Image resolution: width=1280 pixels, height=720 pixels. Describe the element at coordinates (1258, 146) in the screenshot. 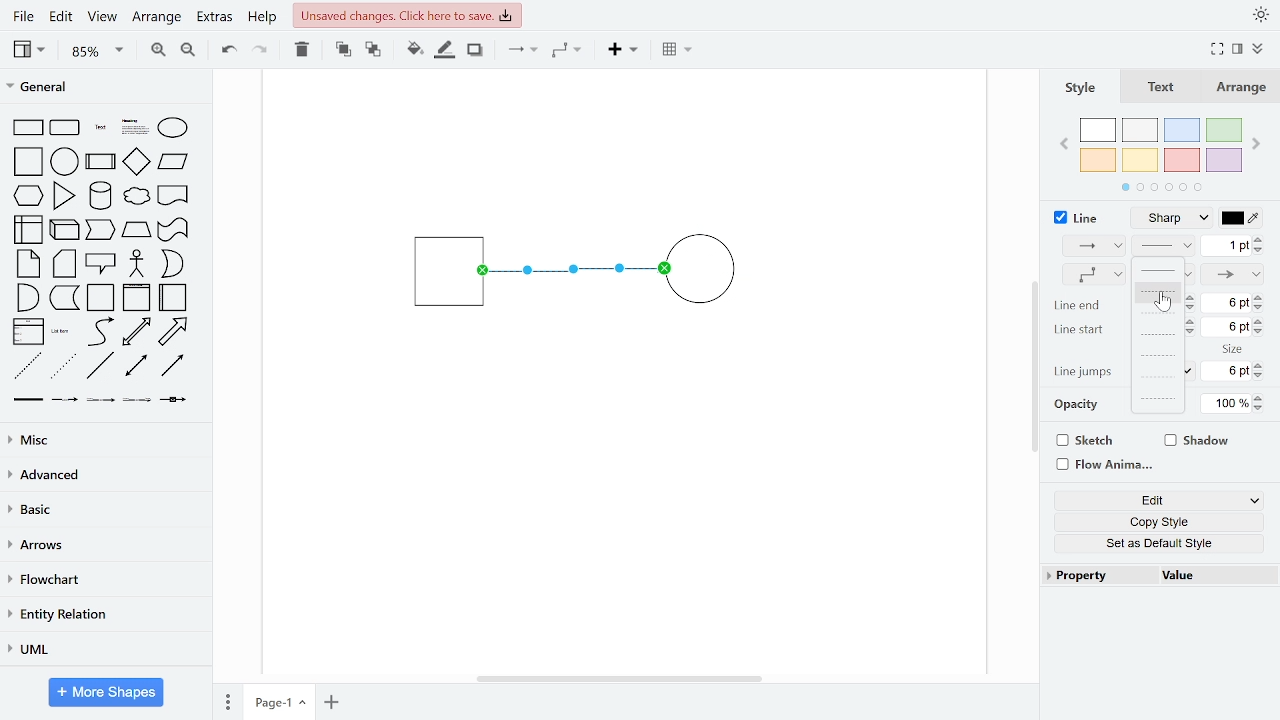

I see `next` at that location.